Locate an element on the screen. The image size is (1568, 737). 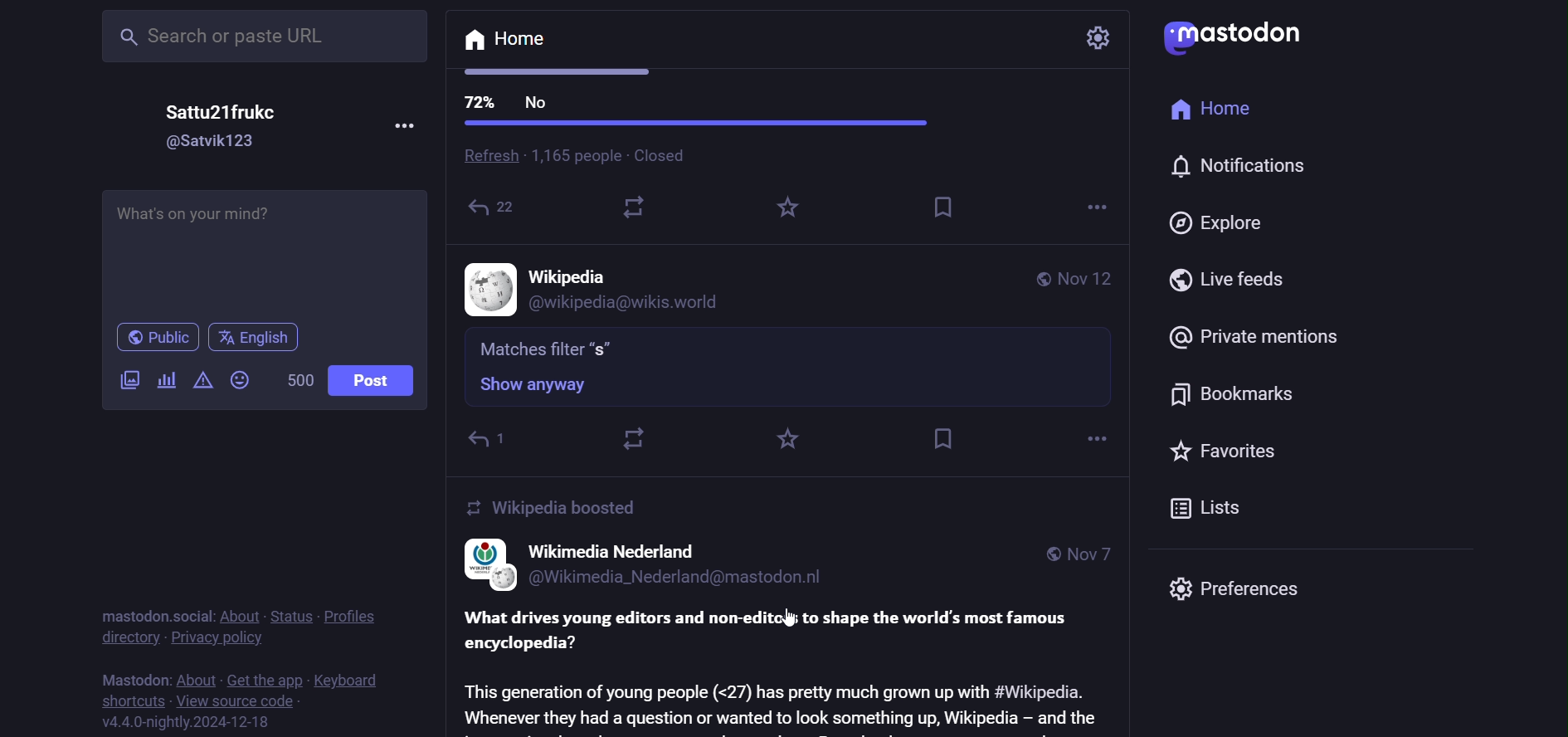
public is located at coordinates (1039, 280).